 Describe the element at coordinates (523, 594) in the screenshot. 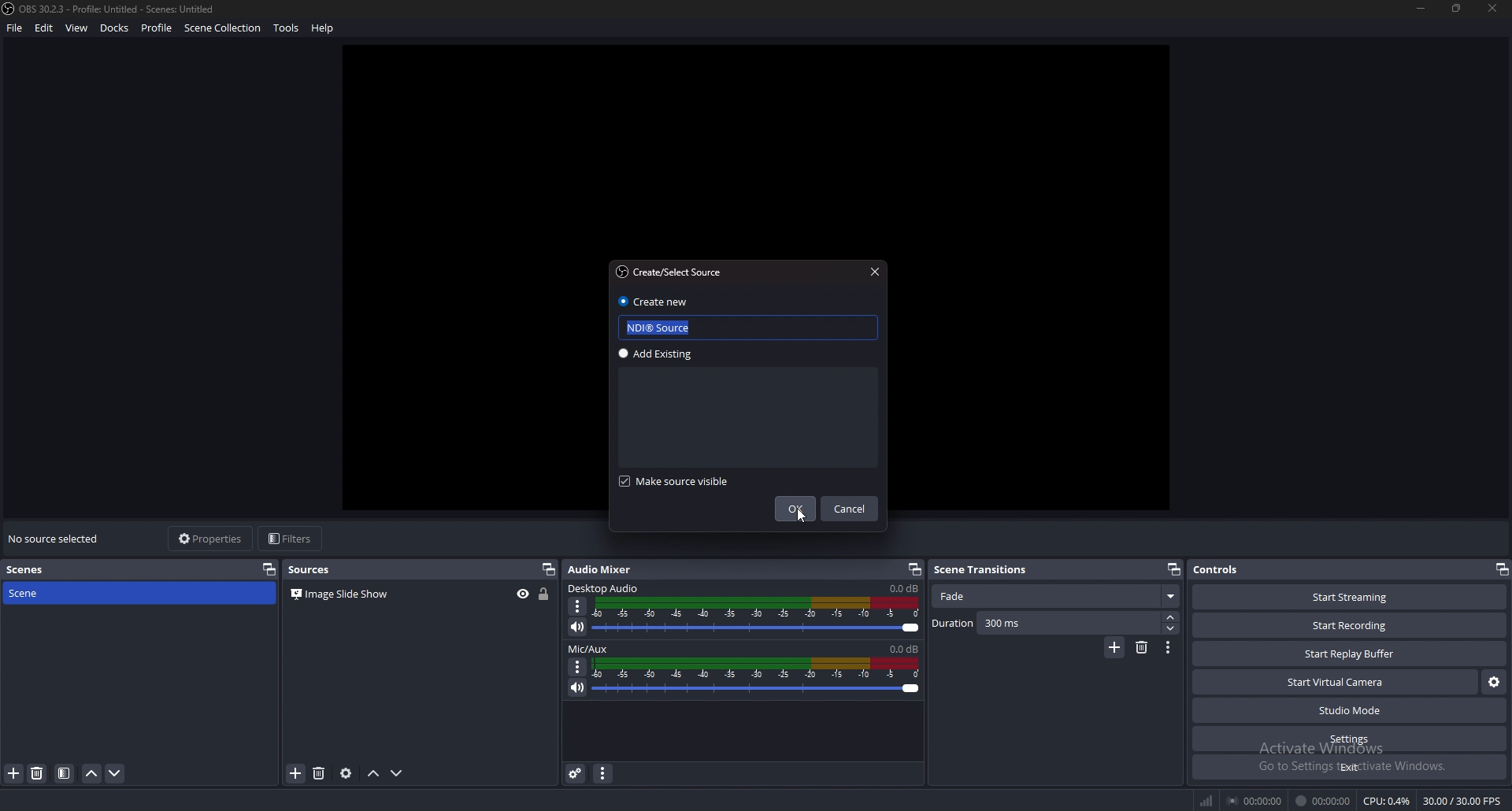

I see `hide` at that location.